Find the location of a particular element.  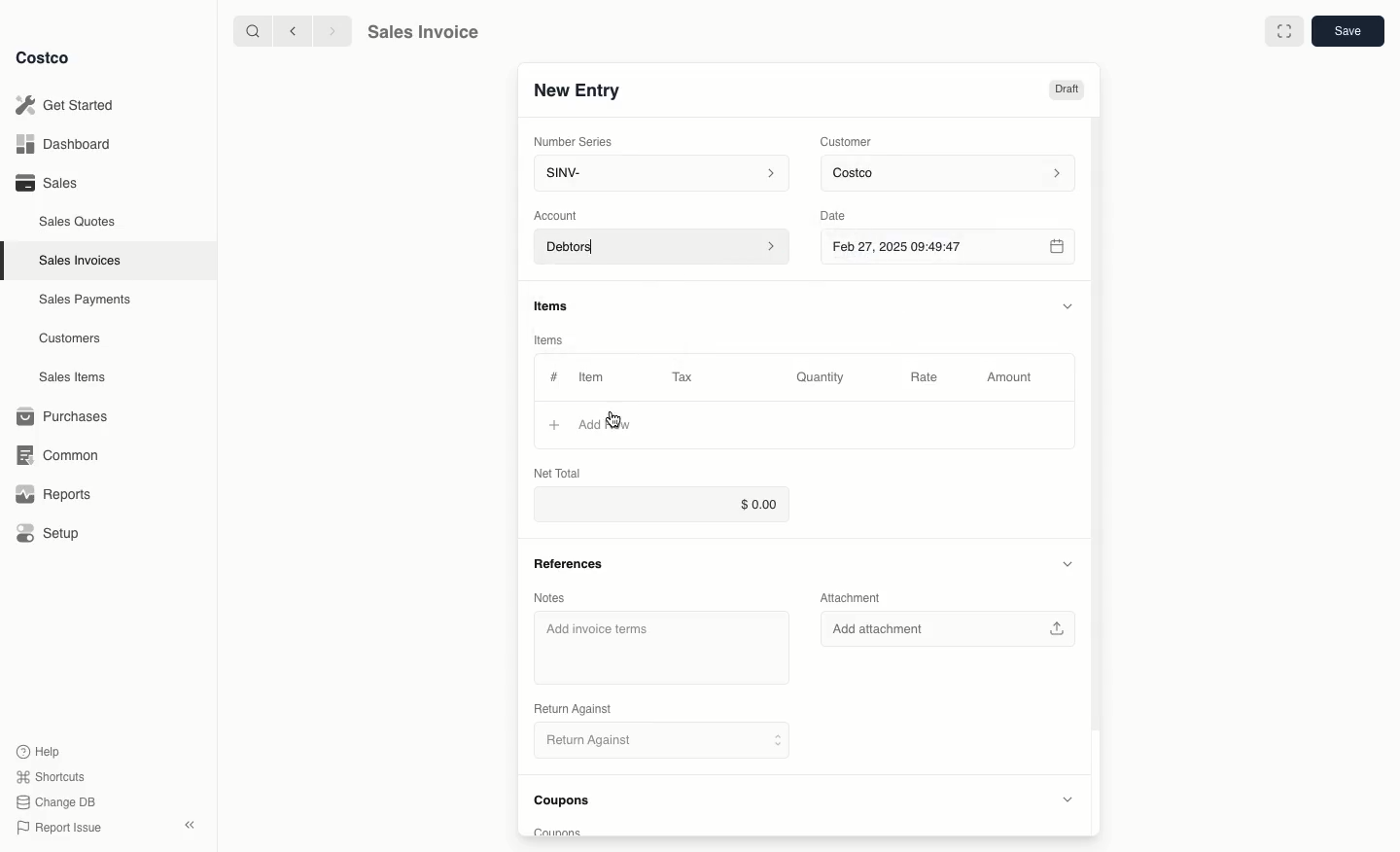

Items is located at coordinates (560, 307).